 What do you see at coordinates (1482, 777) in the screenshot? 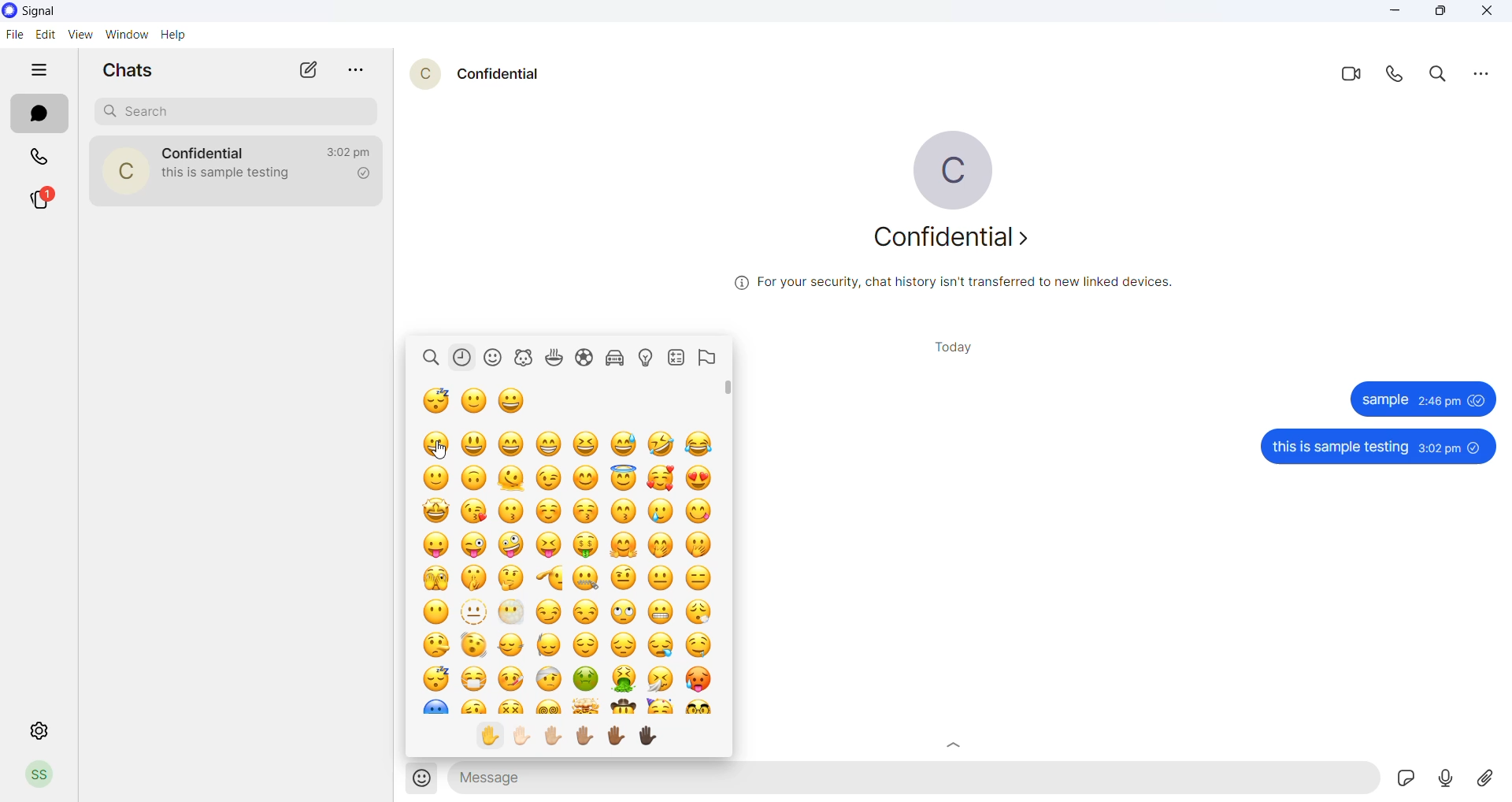
I see `share attachments` at bounding box center [1482, 777].